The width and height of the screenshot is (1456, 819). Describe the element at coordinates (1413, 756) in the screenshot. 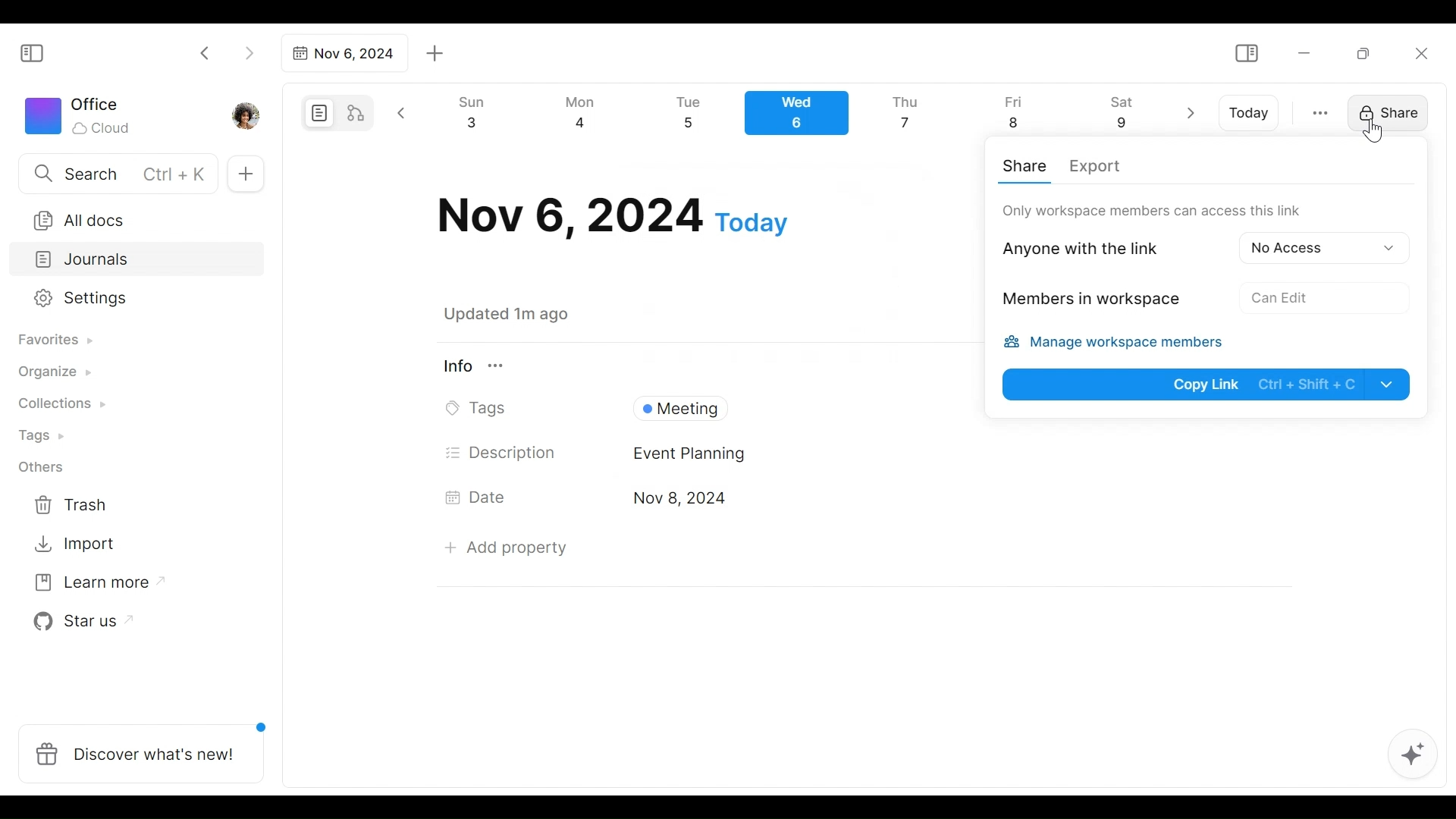

I see `AFFiNE AI` at that location.